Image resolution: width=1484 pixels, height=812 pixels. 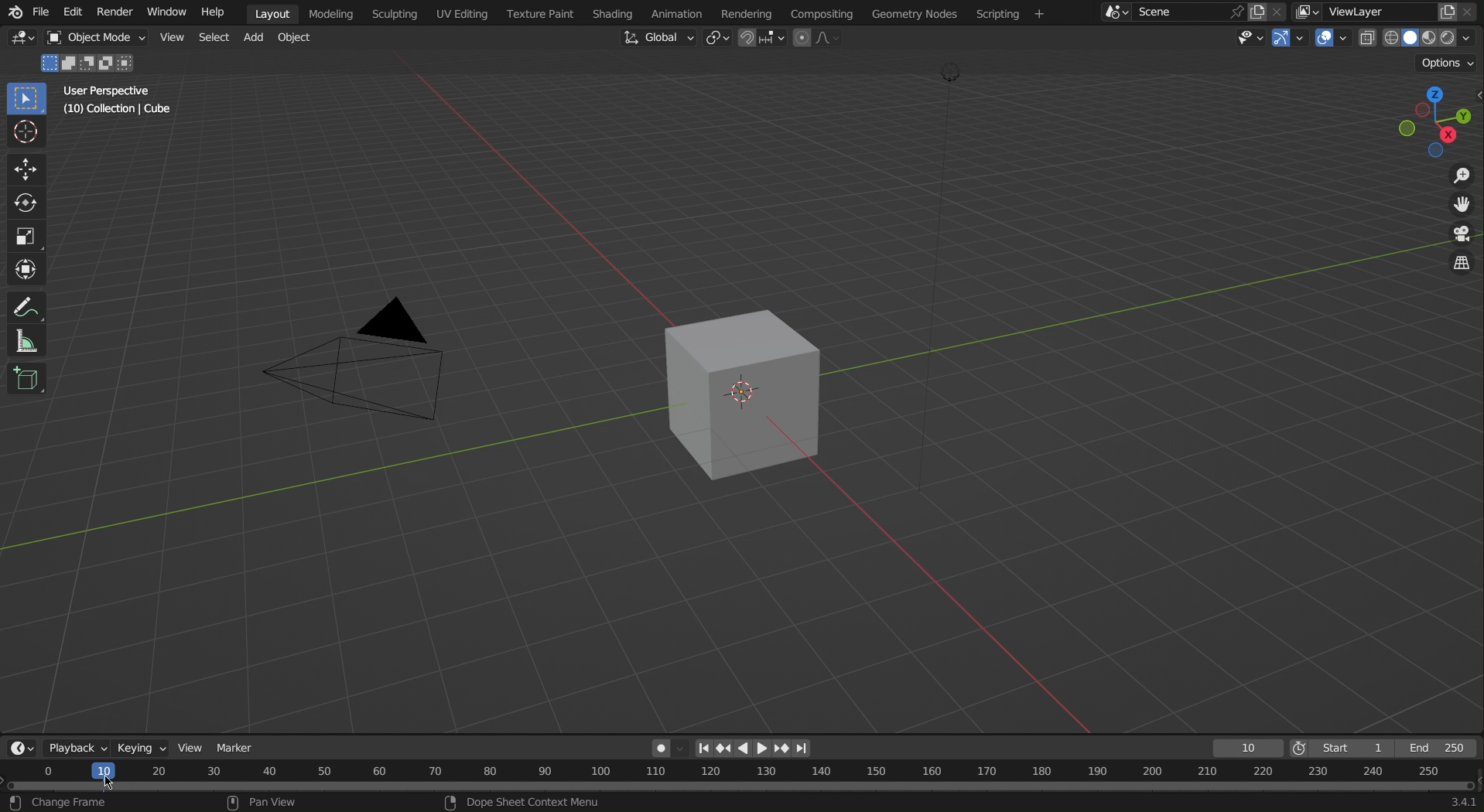 I want to click on Scripting, so click(x=1014, y=13).